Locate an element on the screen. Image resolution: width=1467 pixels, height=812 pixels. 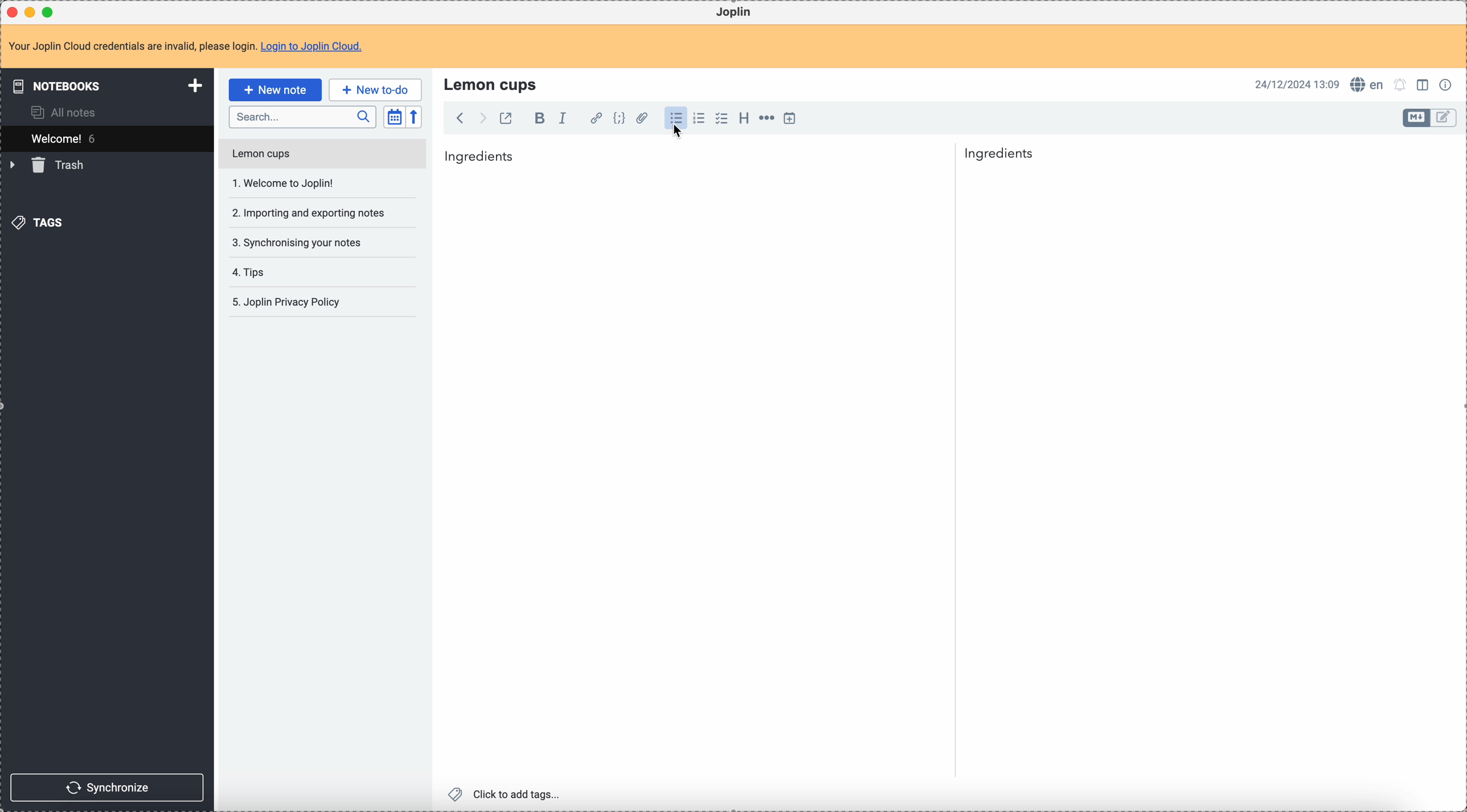
foward is located at coordinates (481, 118).